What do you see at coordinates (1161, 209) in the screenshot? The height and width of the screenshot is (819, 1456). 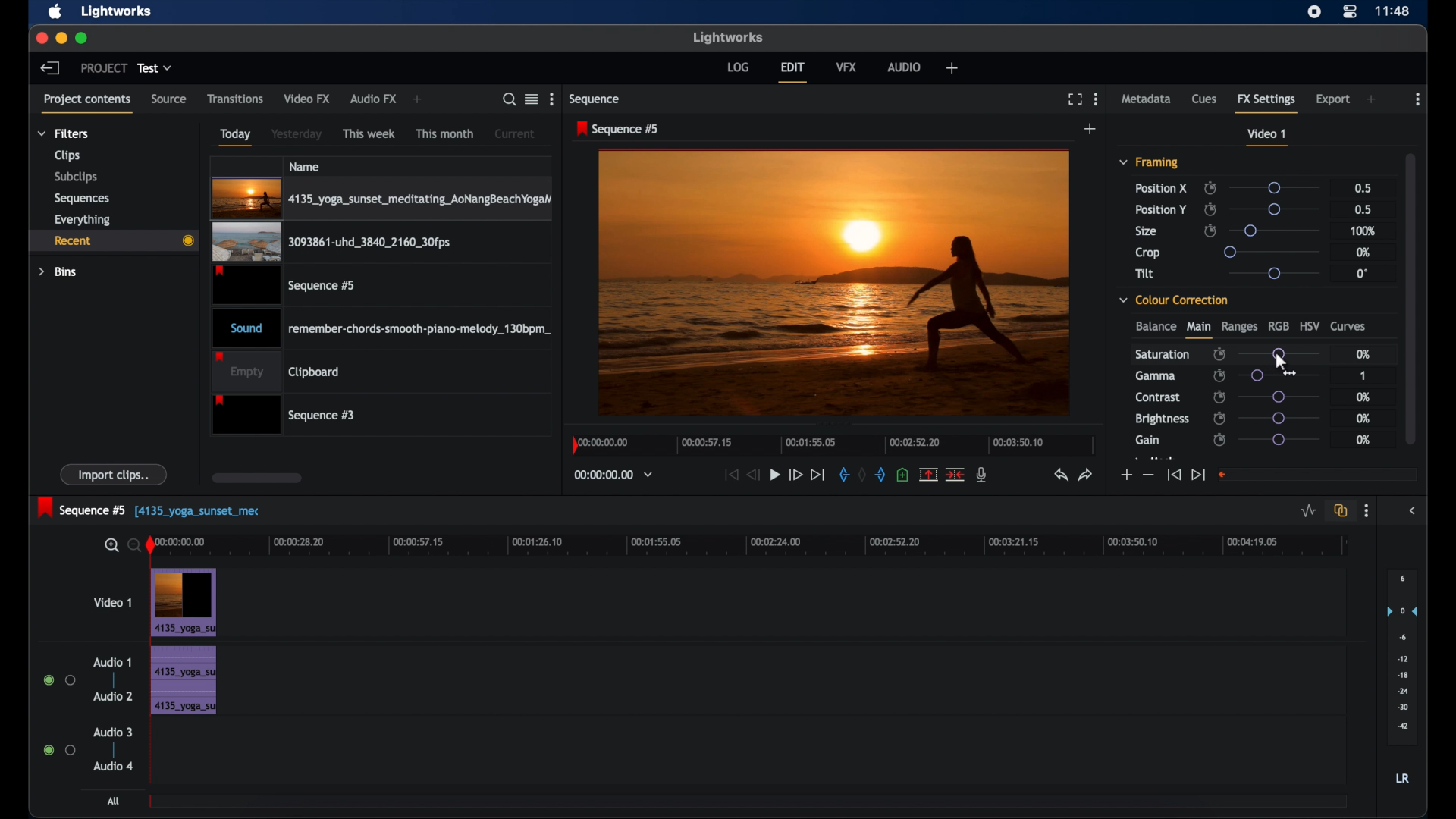 I see `position` at bounding box center [1161, 209].